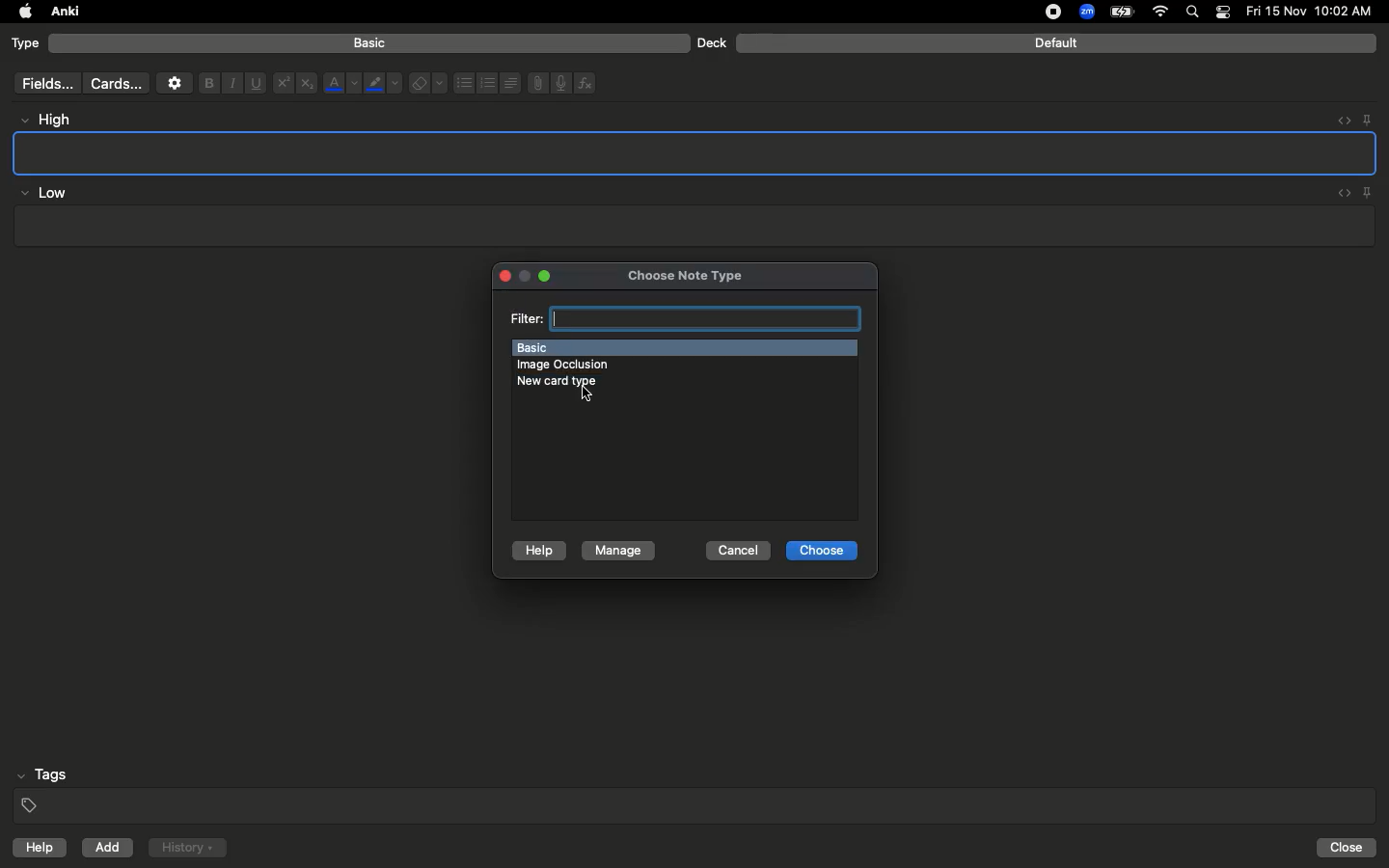  Describe the element at coordinates (508, 81) in the screenshot. I see `Alignment` at that location.